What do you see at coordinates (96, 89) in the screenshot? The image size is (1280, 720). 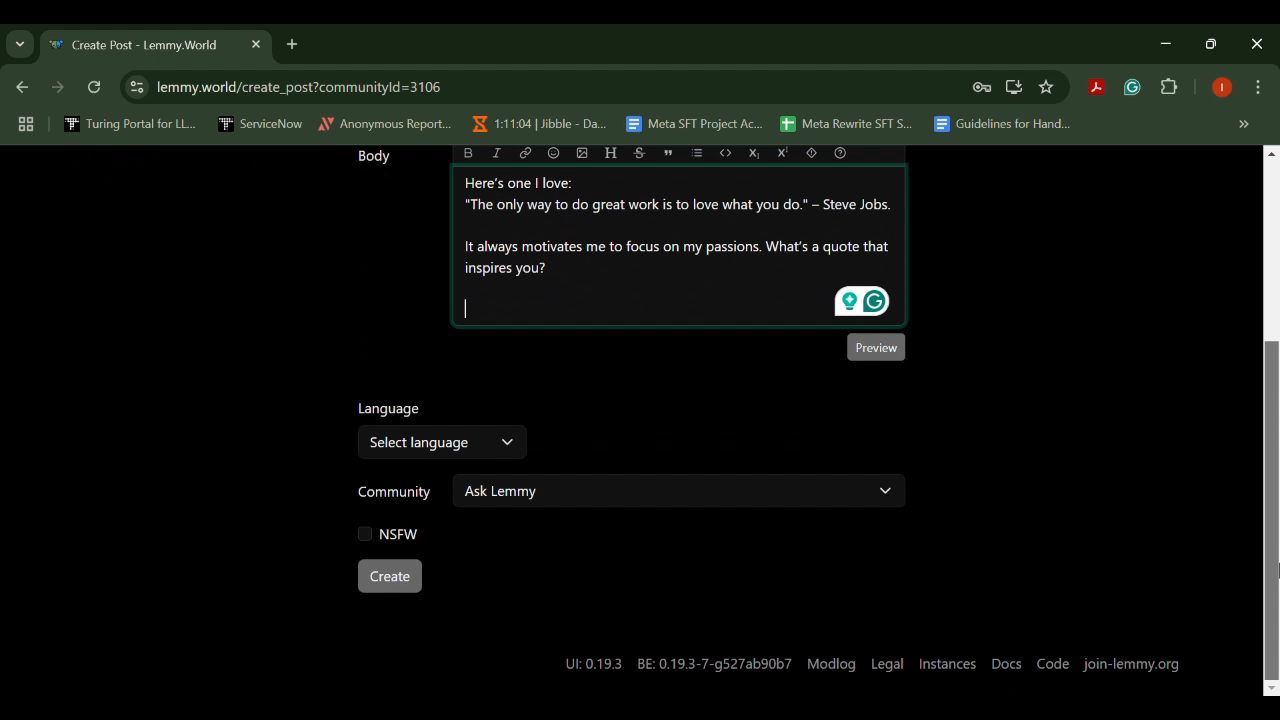 I see `Refresh Webpage` at bounding box center [96, 89].